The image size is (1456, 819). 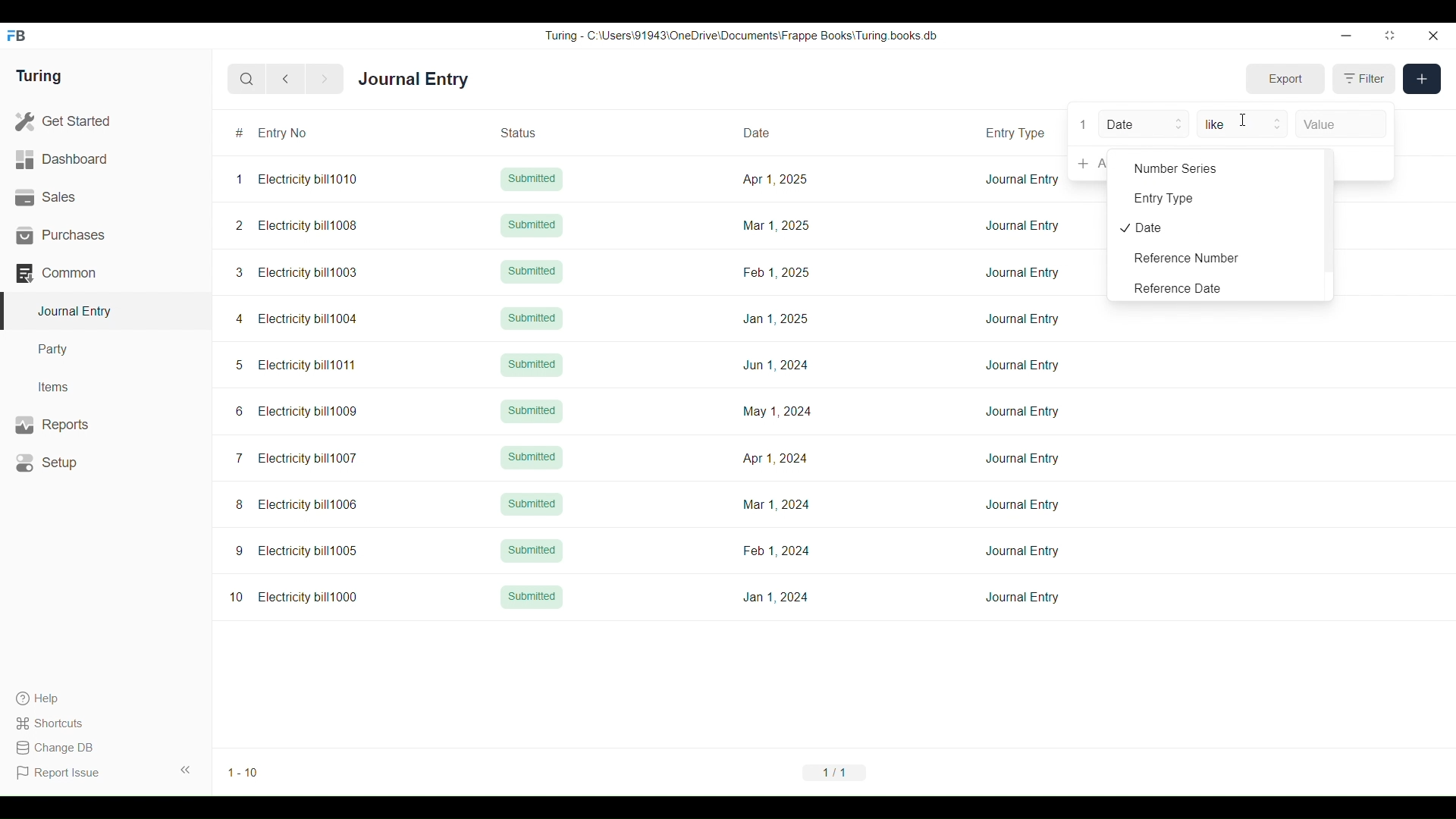 What do you see at coordinates (777, 271) in the screenshot?
I see `Feb 1, 2025` at bounding box center [777, 271].